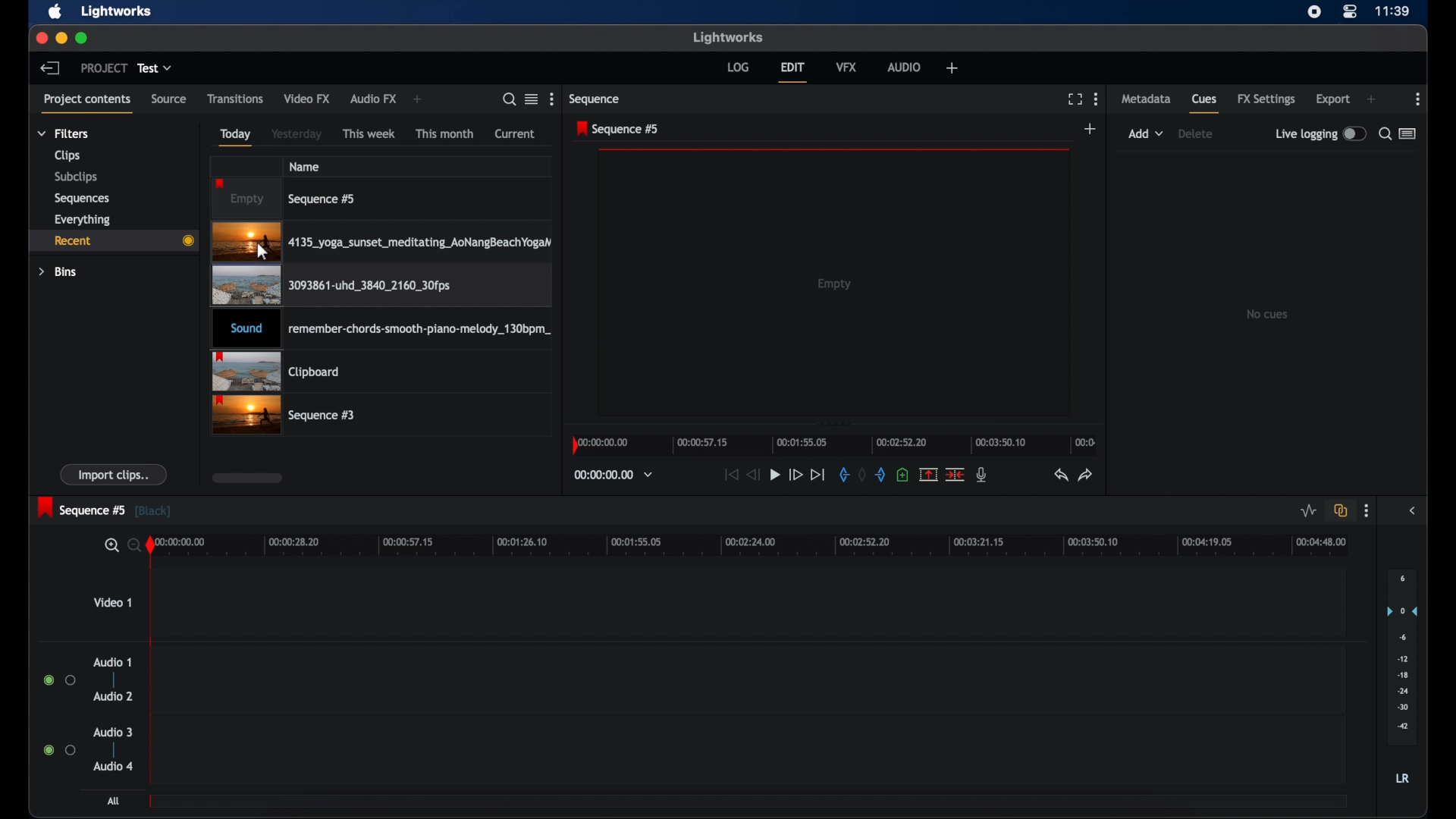 The width and height of the screenshot is (1456, 819). I want to click on test, so click(155, 67).